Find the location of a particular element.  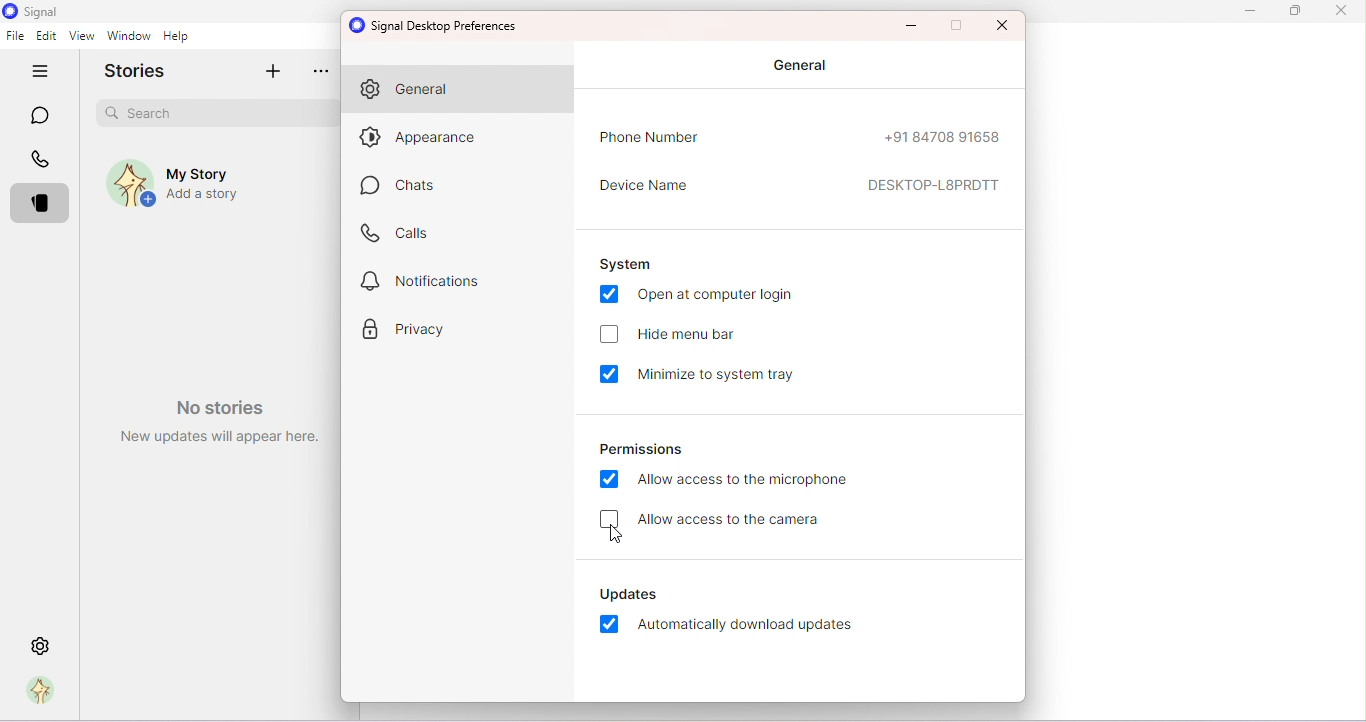

My story is located at coordinates (182, 186).